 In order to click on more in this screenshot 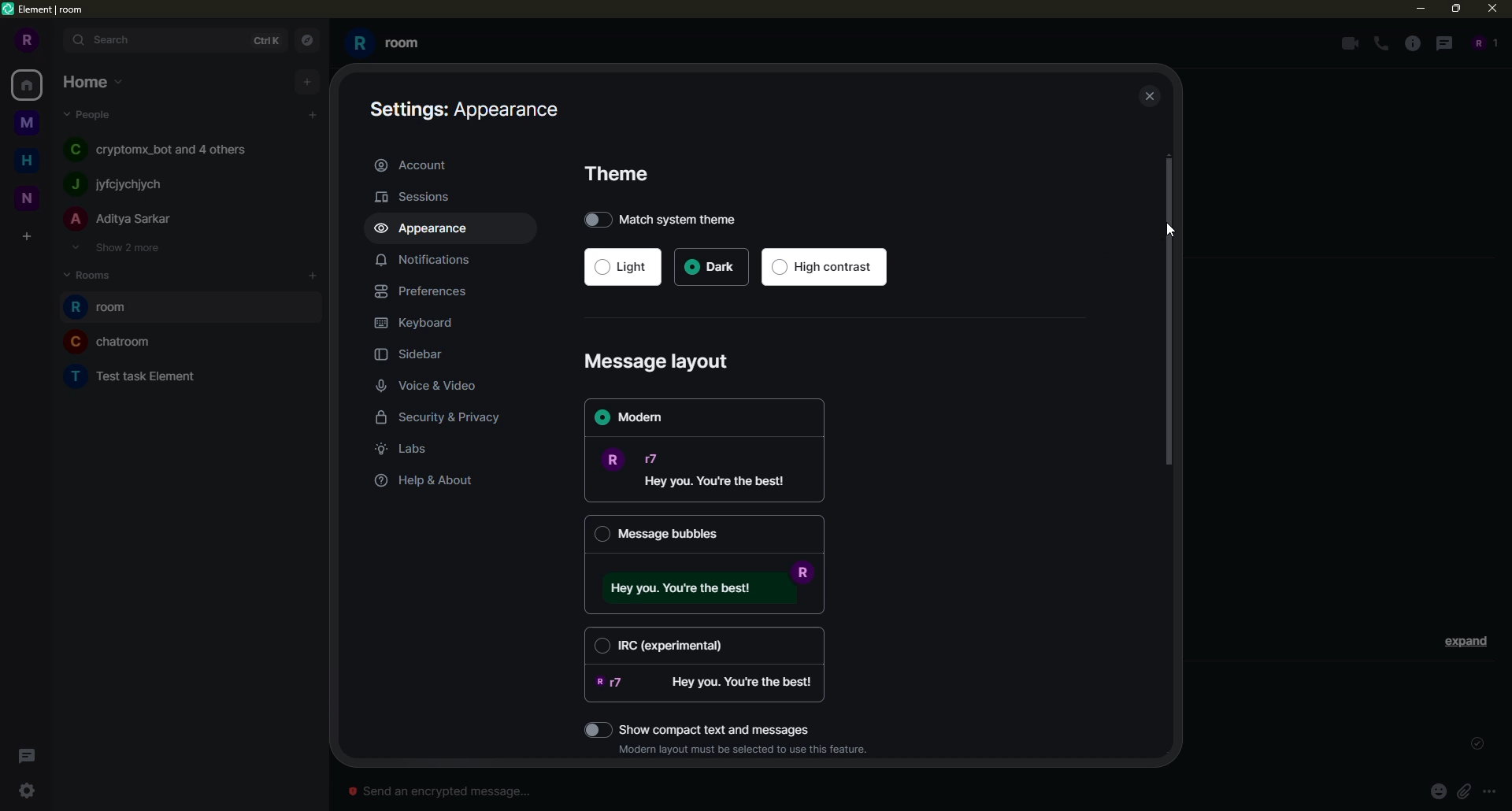, I will do `click(1490, 792)`.